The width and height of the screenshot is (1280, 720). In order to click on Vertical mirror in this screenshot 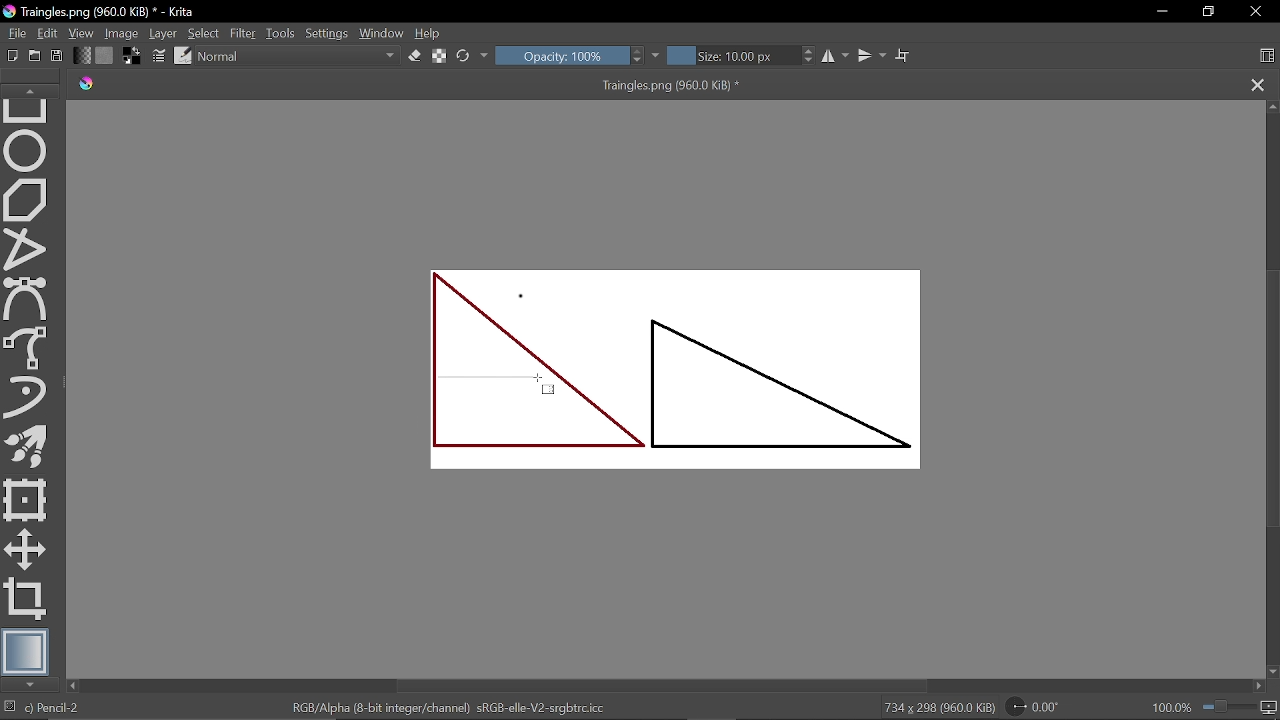, I will do `click(872, 58)`.